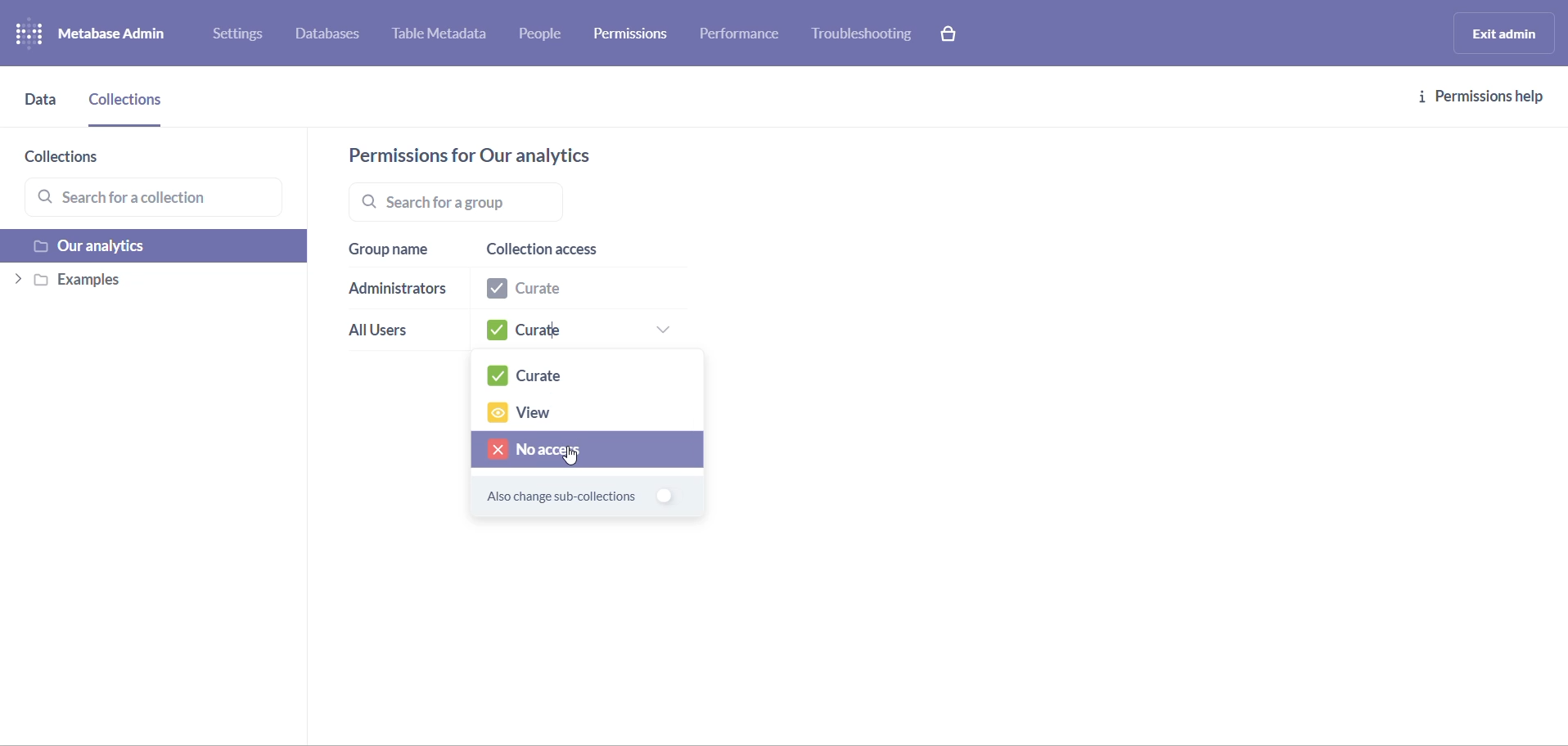 This screenshot has width=1568, height=746. What do you see at coordinates (156, 248) in the screenshot?
I see `our analytics` at bounding box center [156, 248].